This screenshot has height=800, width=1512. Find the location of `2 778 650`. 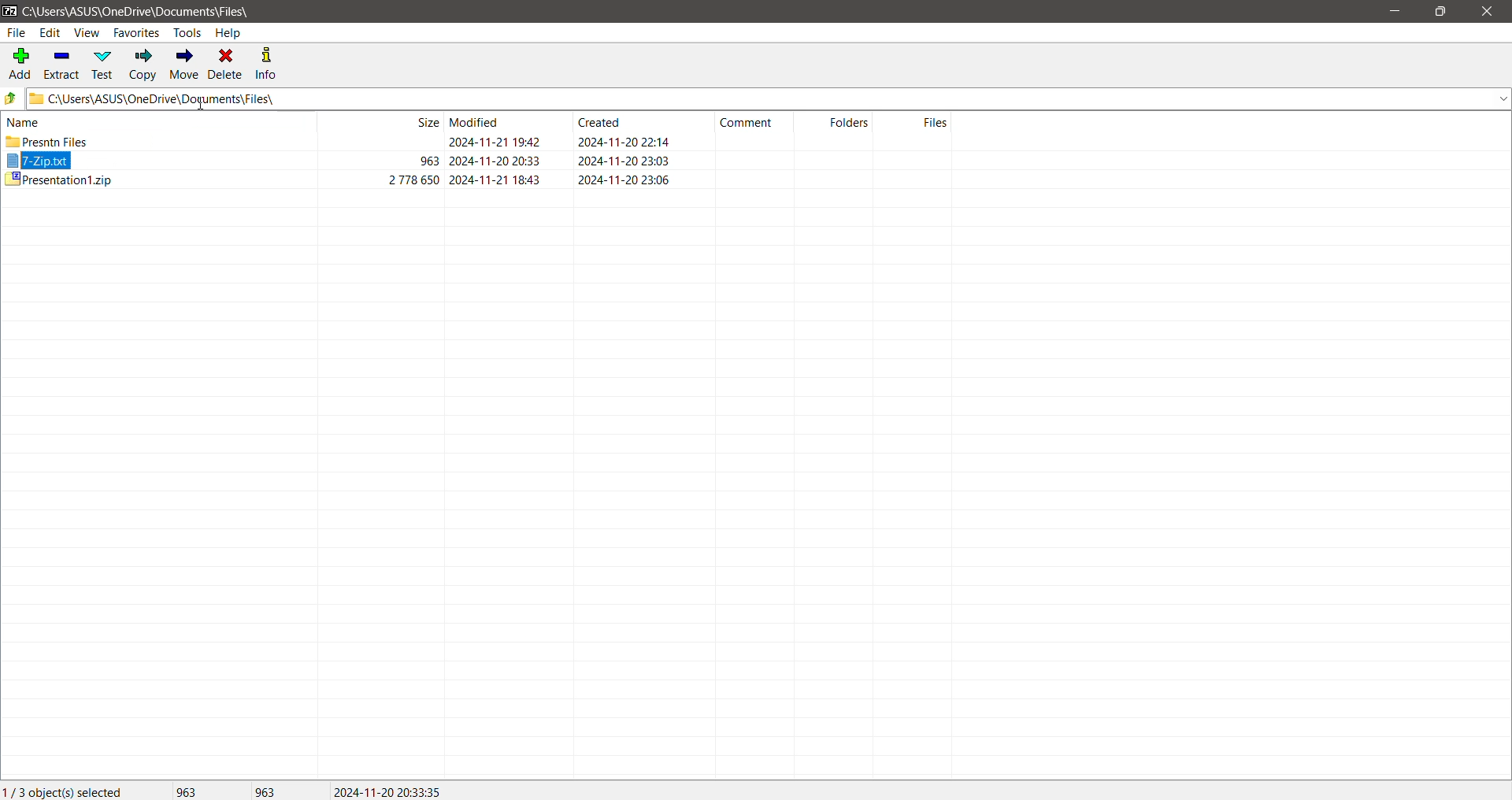

2 778 650 is located at coordinates (414, 179).